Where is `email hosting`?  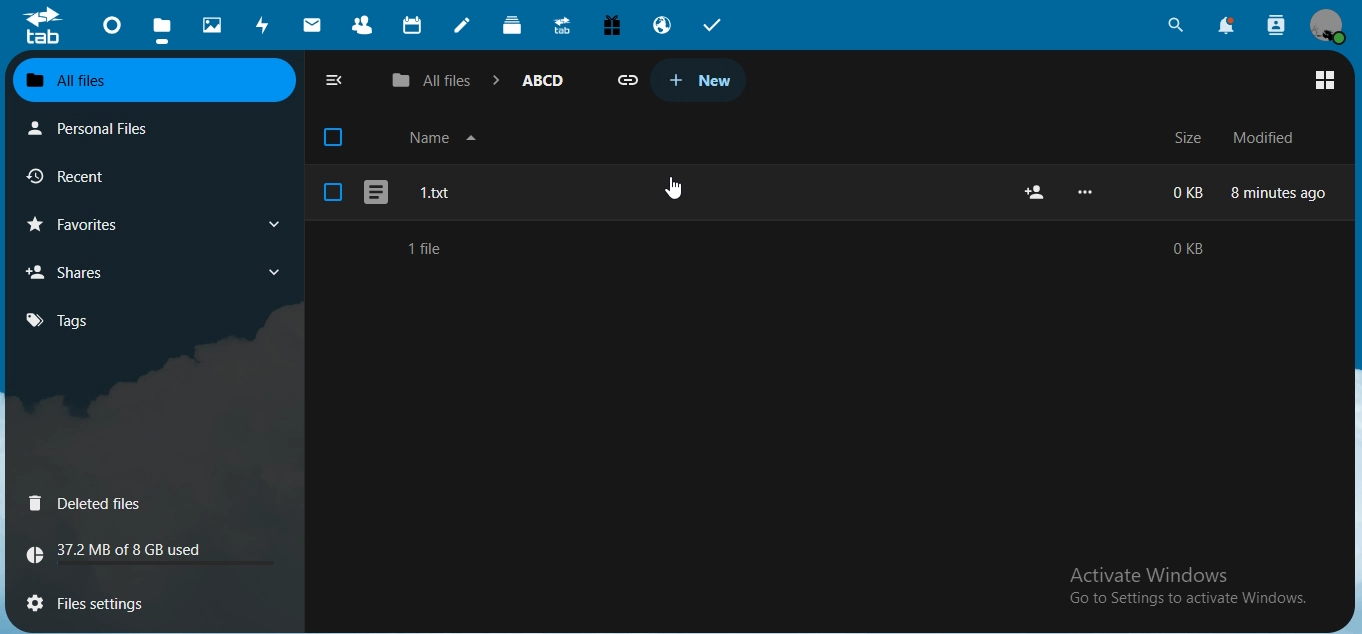
email hosting is located at coordinates (664, 27).